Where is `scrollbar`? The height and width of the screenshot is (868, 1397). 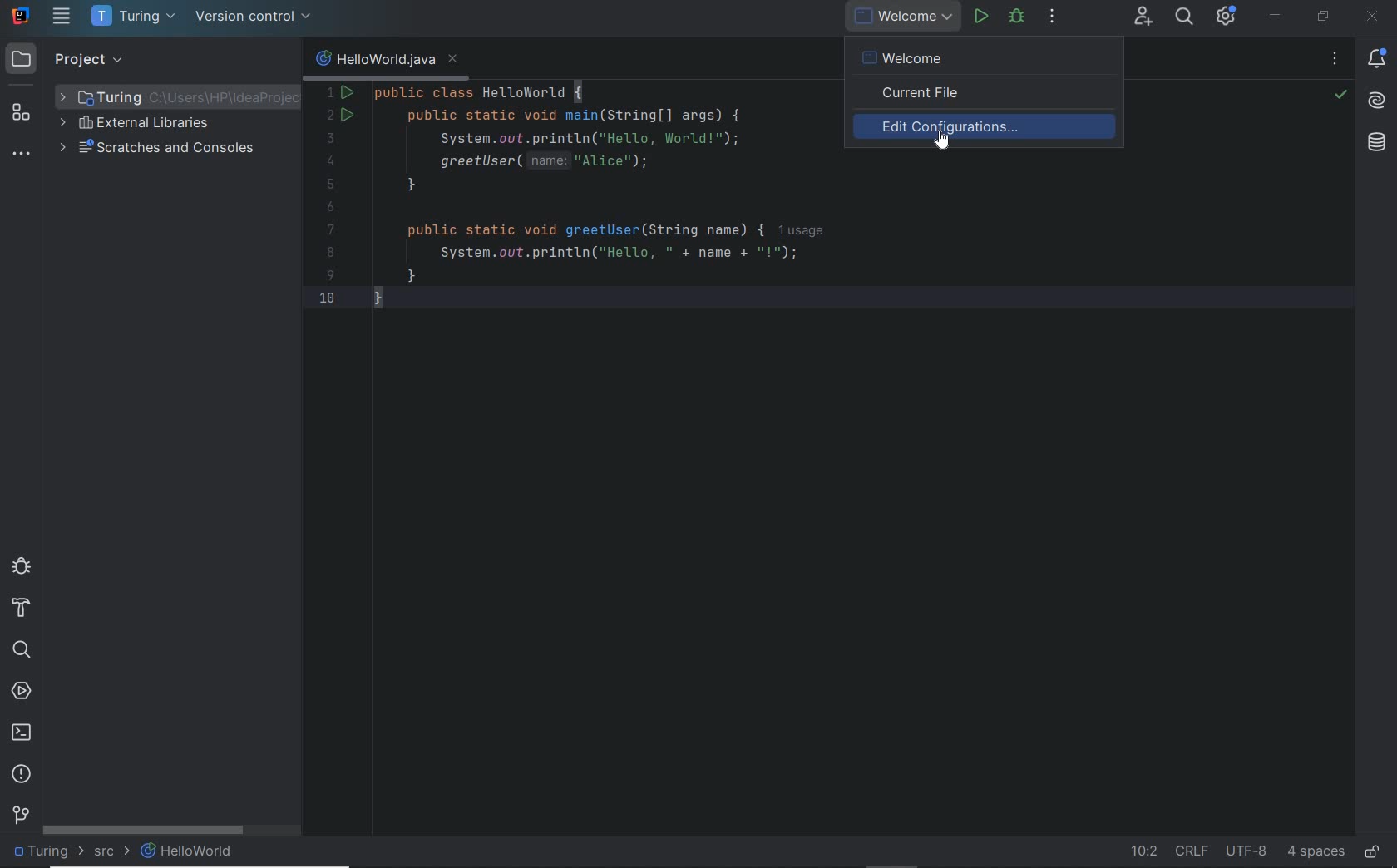 scrollbar is located at coordinates (144, 830).